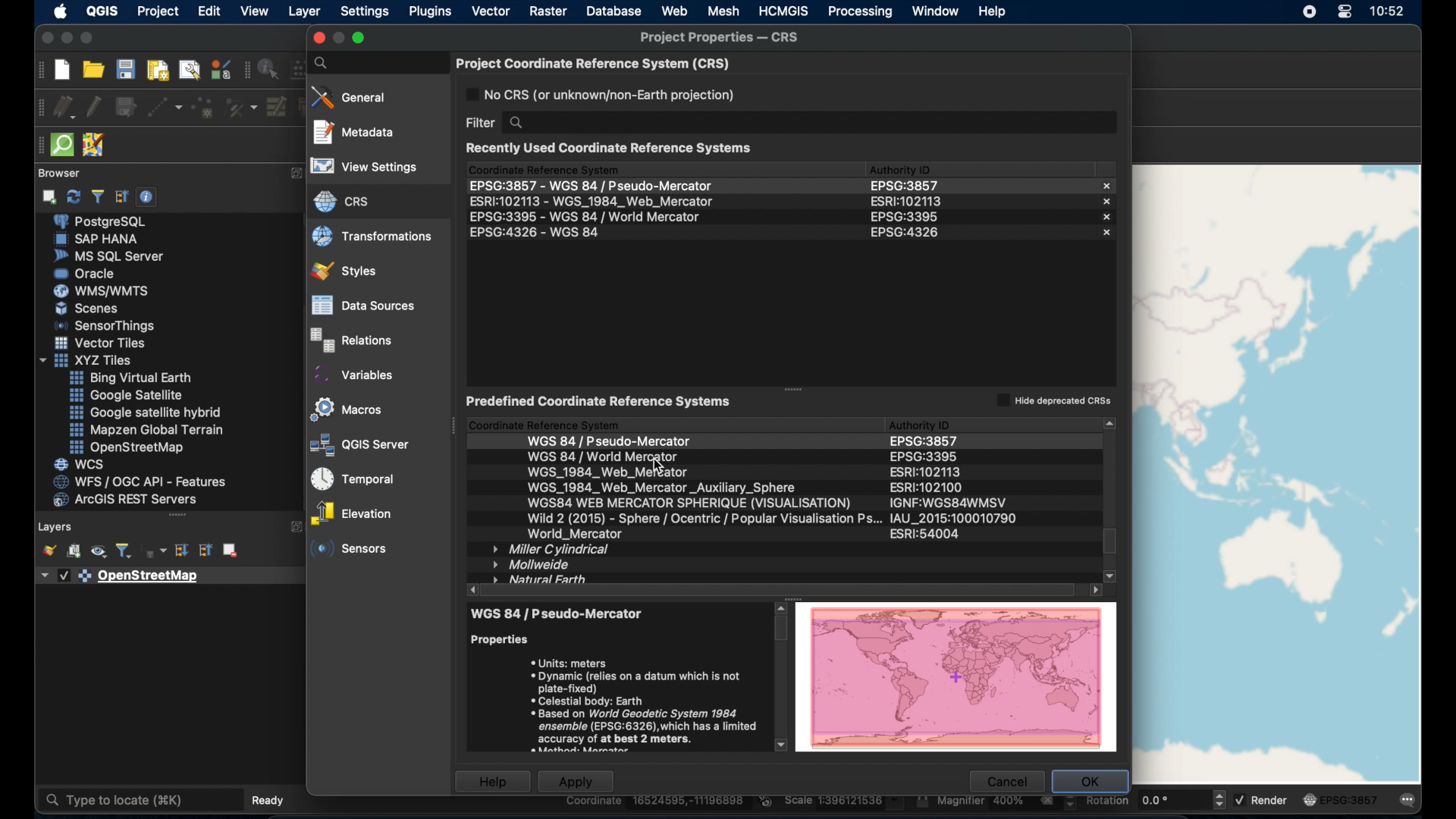 This screenshot has height=819, width=1456. Describe the element at coordinates (926, 425) in the screenshot. I see `authority id` at that location.